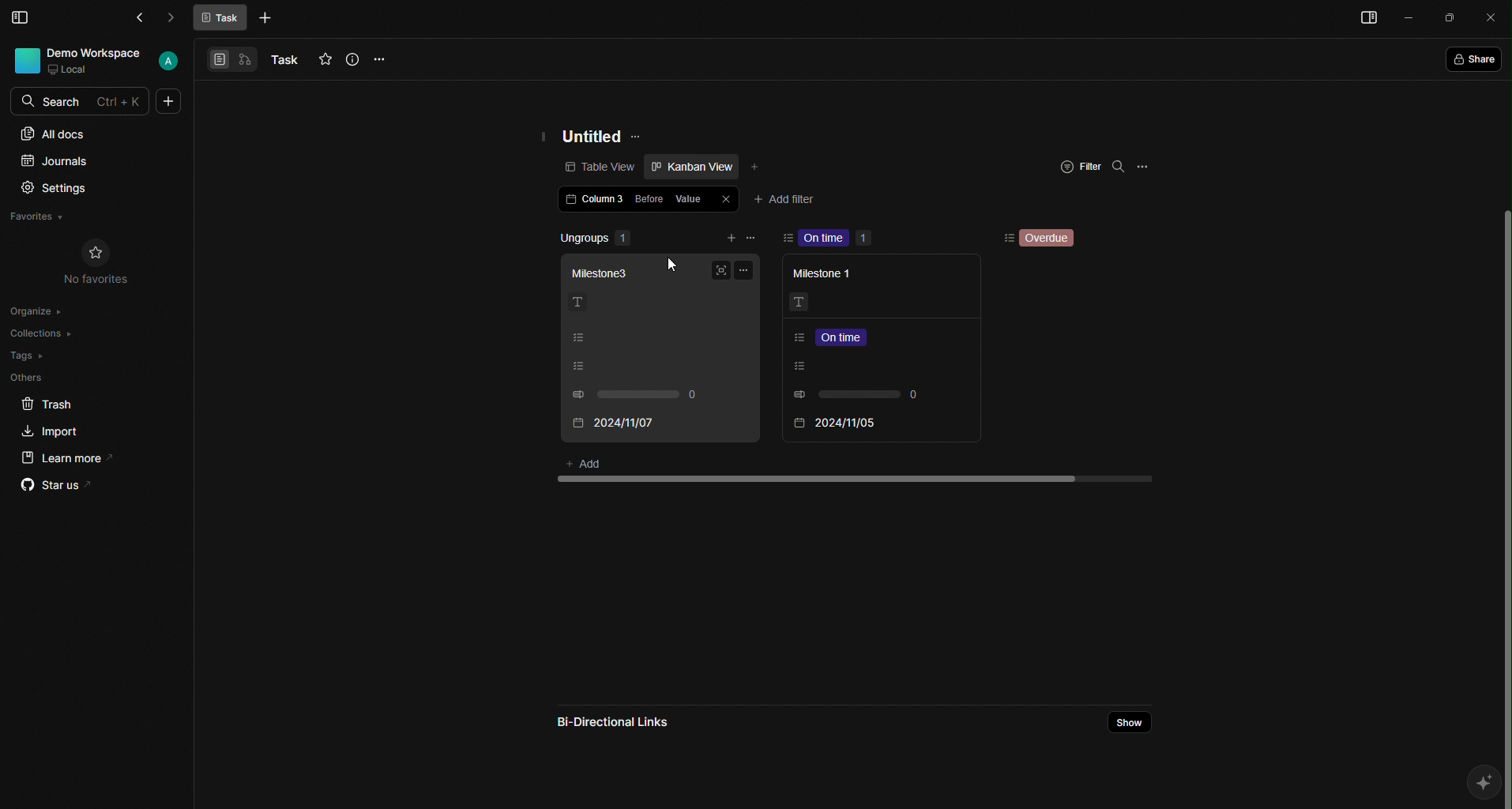 Image resolution: width=1512 pixels, height=809 pixels. What do you see at coordinates (724, 198) in the screenshot?
I see `Close` at bounding box center [724, 198].